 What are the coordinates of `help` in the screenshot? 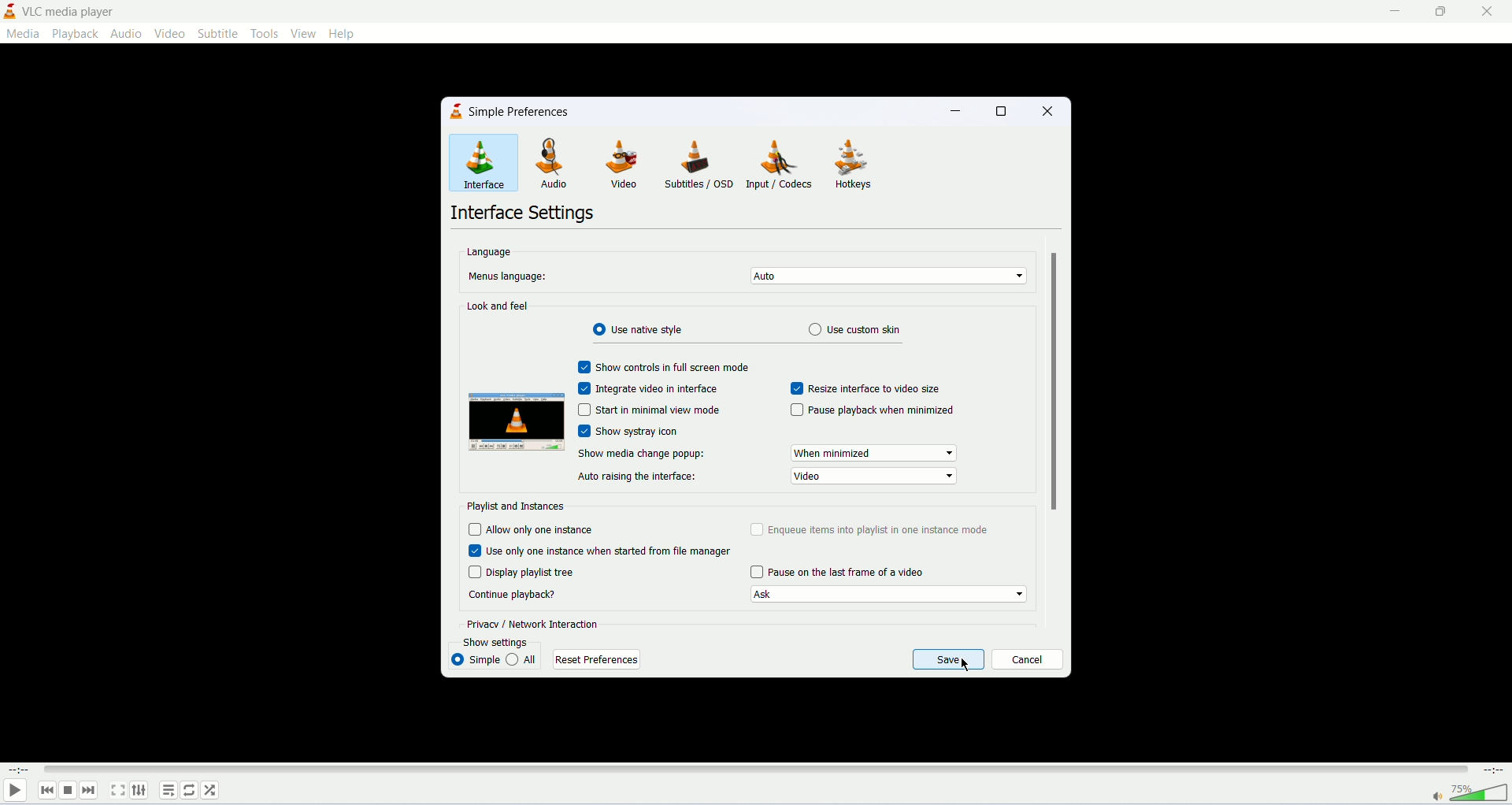 It's located at (346, 35).